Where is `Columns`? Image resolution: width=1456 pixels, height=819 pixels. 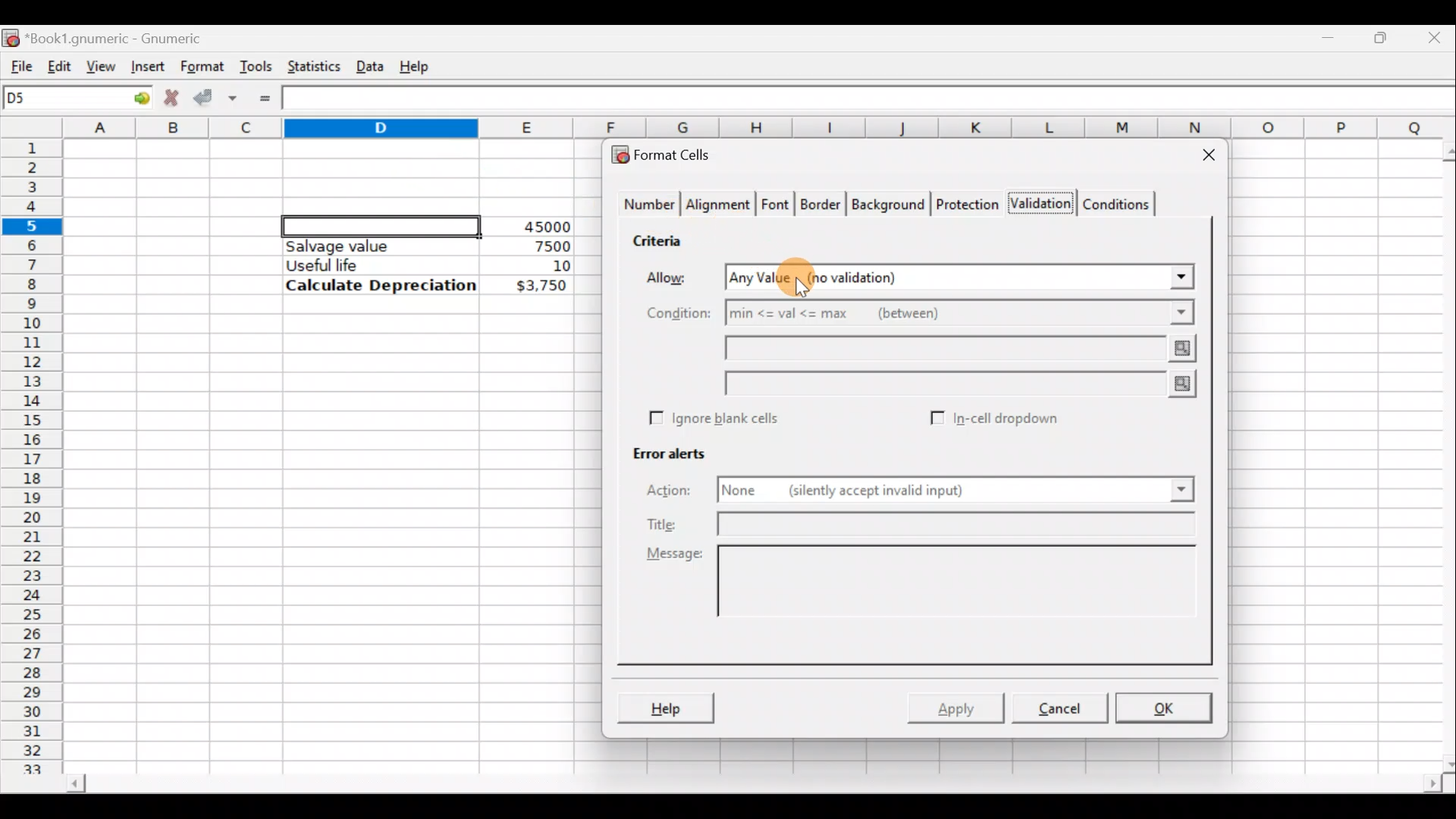 Columns is located at coordinates (761, 128).